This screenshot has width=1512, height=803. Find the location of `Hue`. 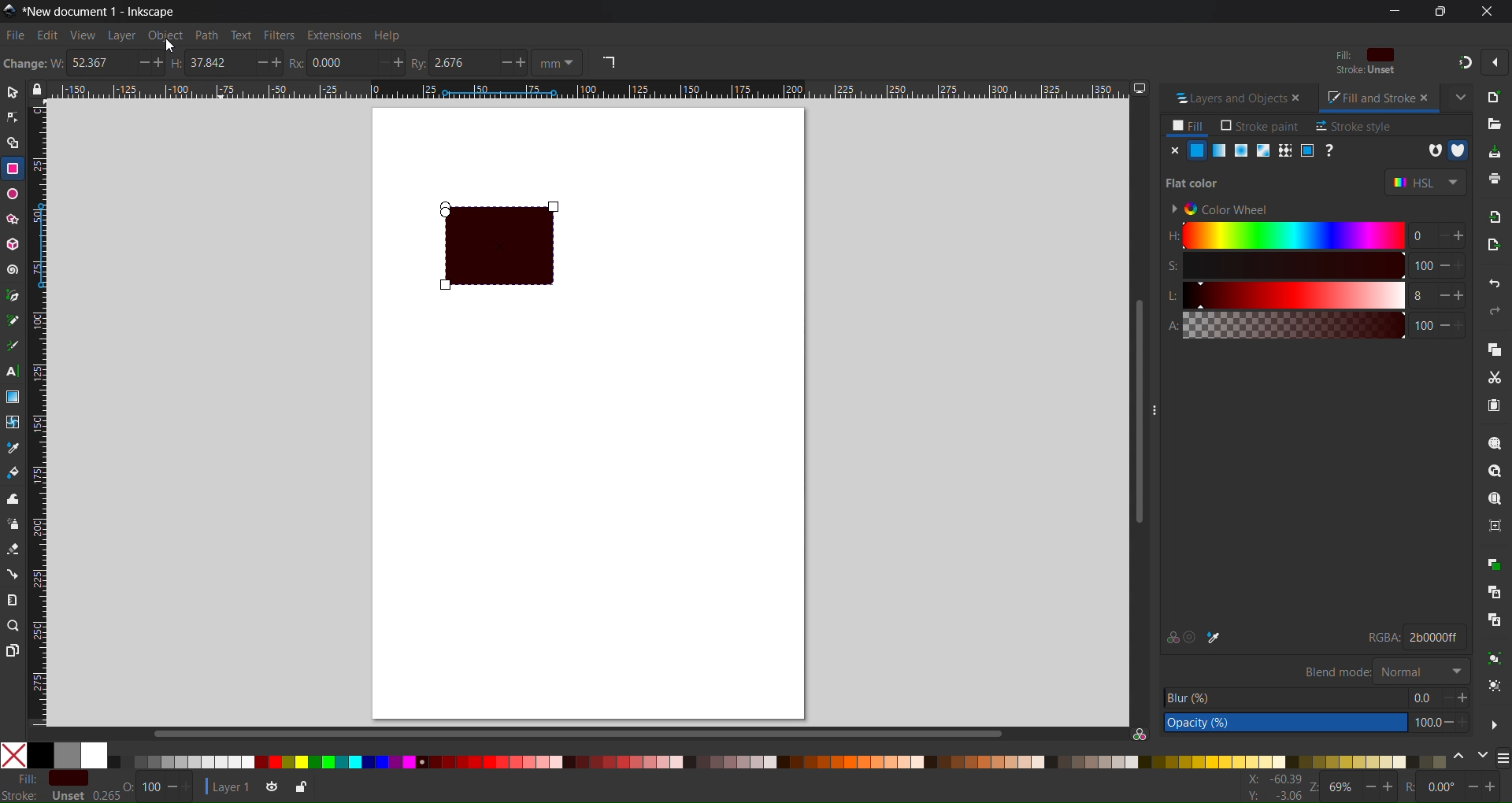

Hue is located at coordinates (1283, 235).